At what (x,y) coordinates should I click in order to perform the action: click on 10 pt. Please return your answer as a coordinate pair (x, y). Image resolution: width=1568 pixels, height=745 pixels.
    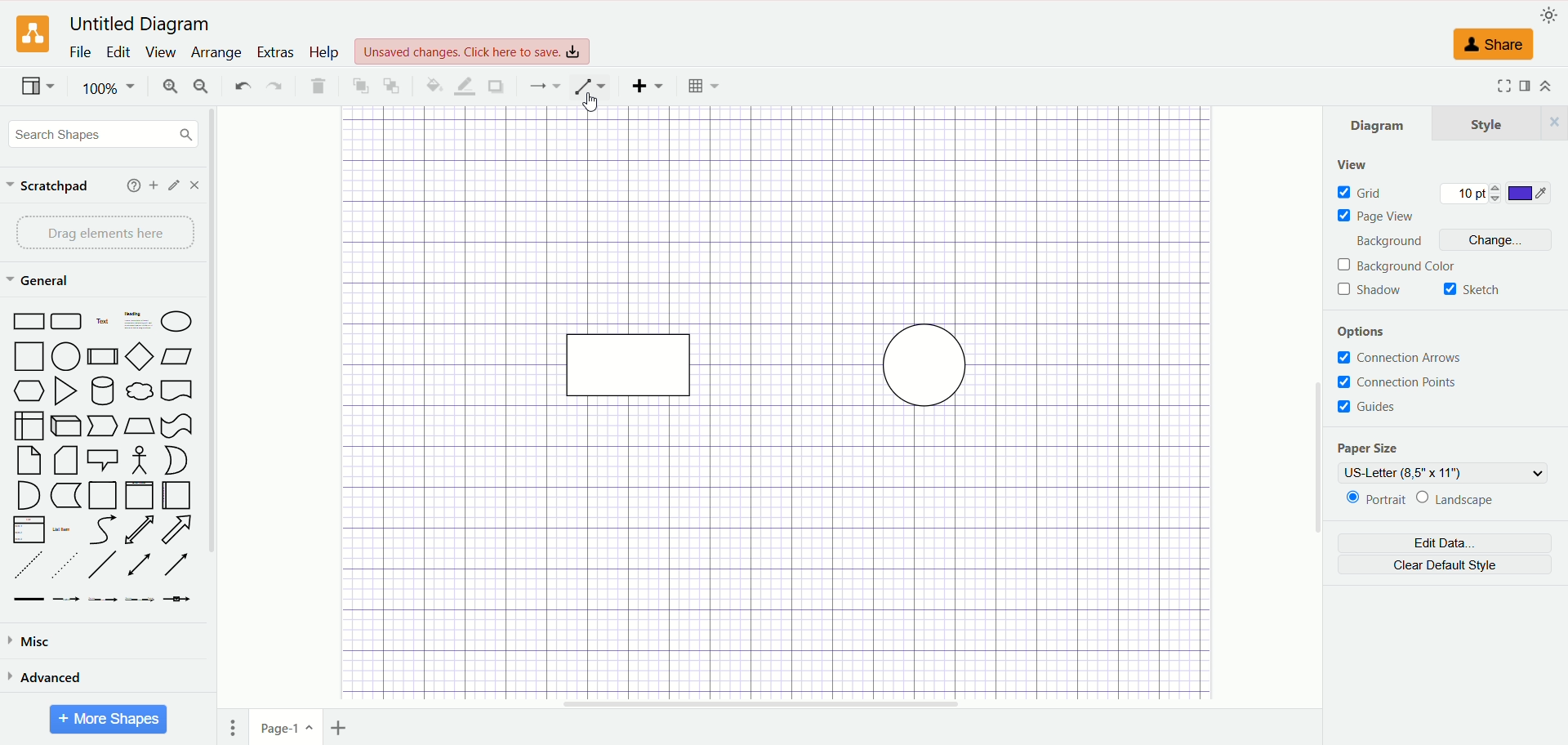
    Looking at the image, I should click on (1471, 191).